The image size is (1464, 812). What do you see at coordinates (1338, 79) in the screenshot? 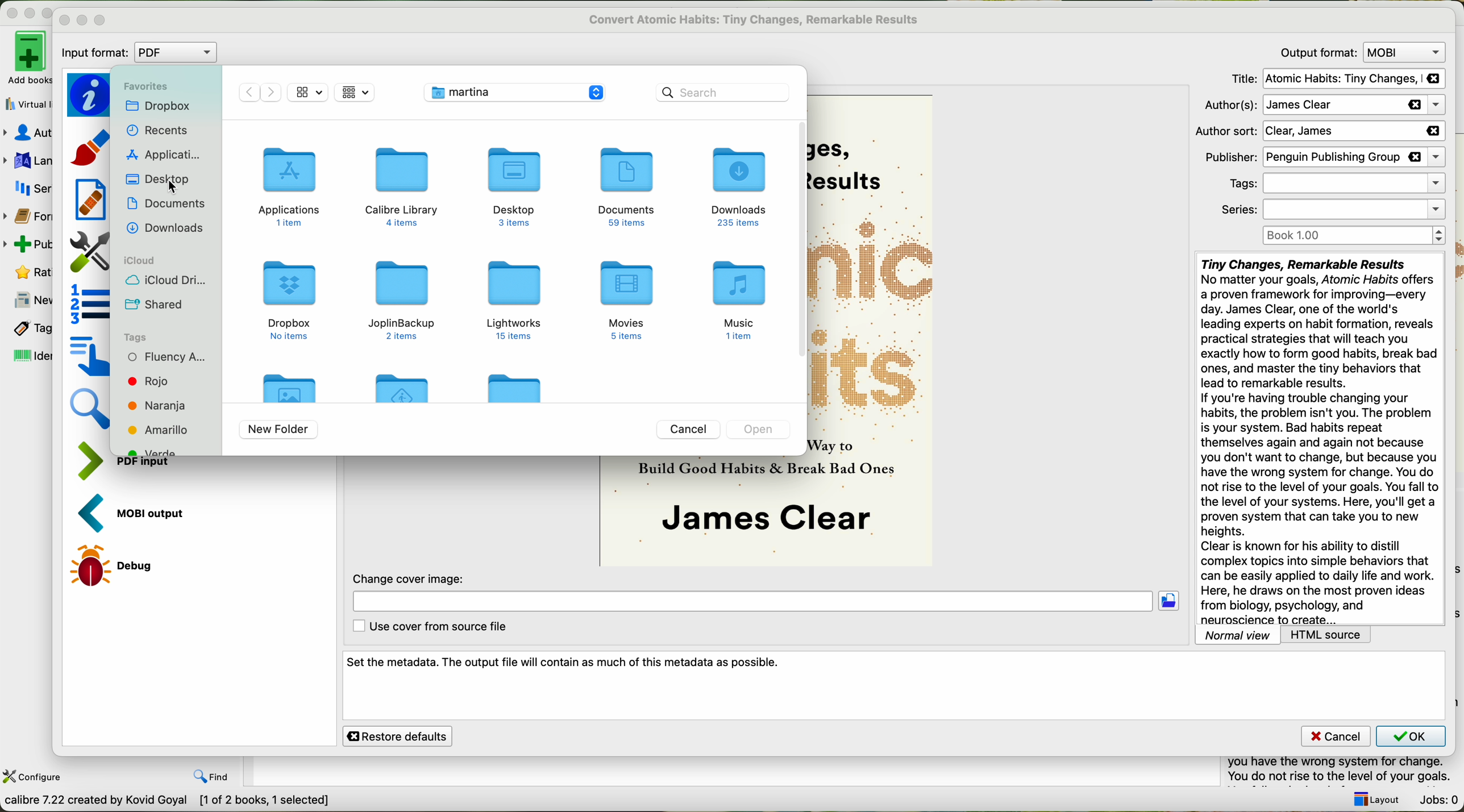
I see `title` at bounding box center [1338, 79].